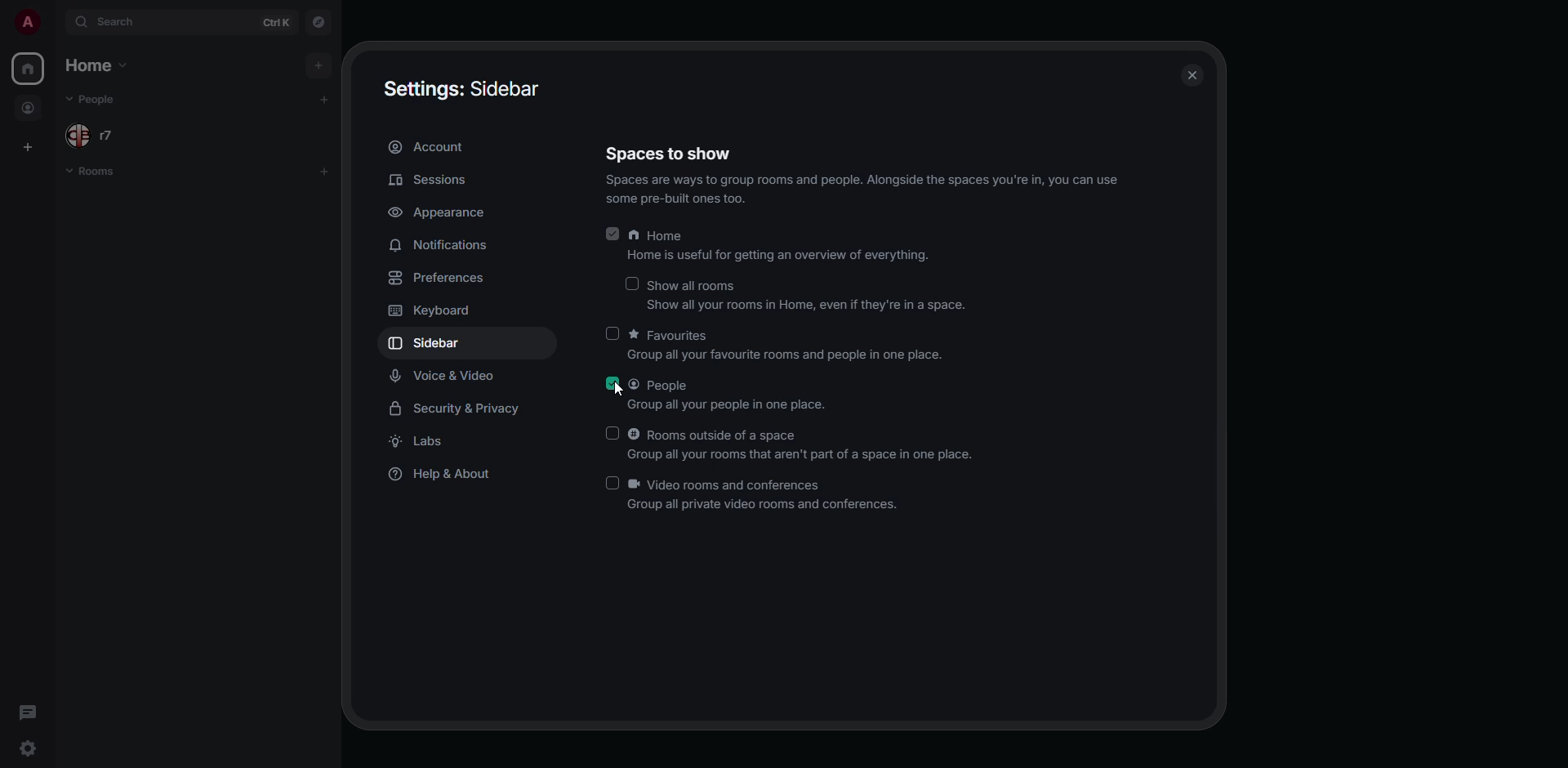  Describe the element at coordinates (321, 23) in the screenshot. I see `navigator` at that location.